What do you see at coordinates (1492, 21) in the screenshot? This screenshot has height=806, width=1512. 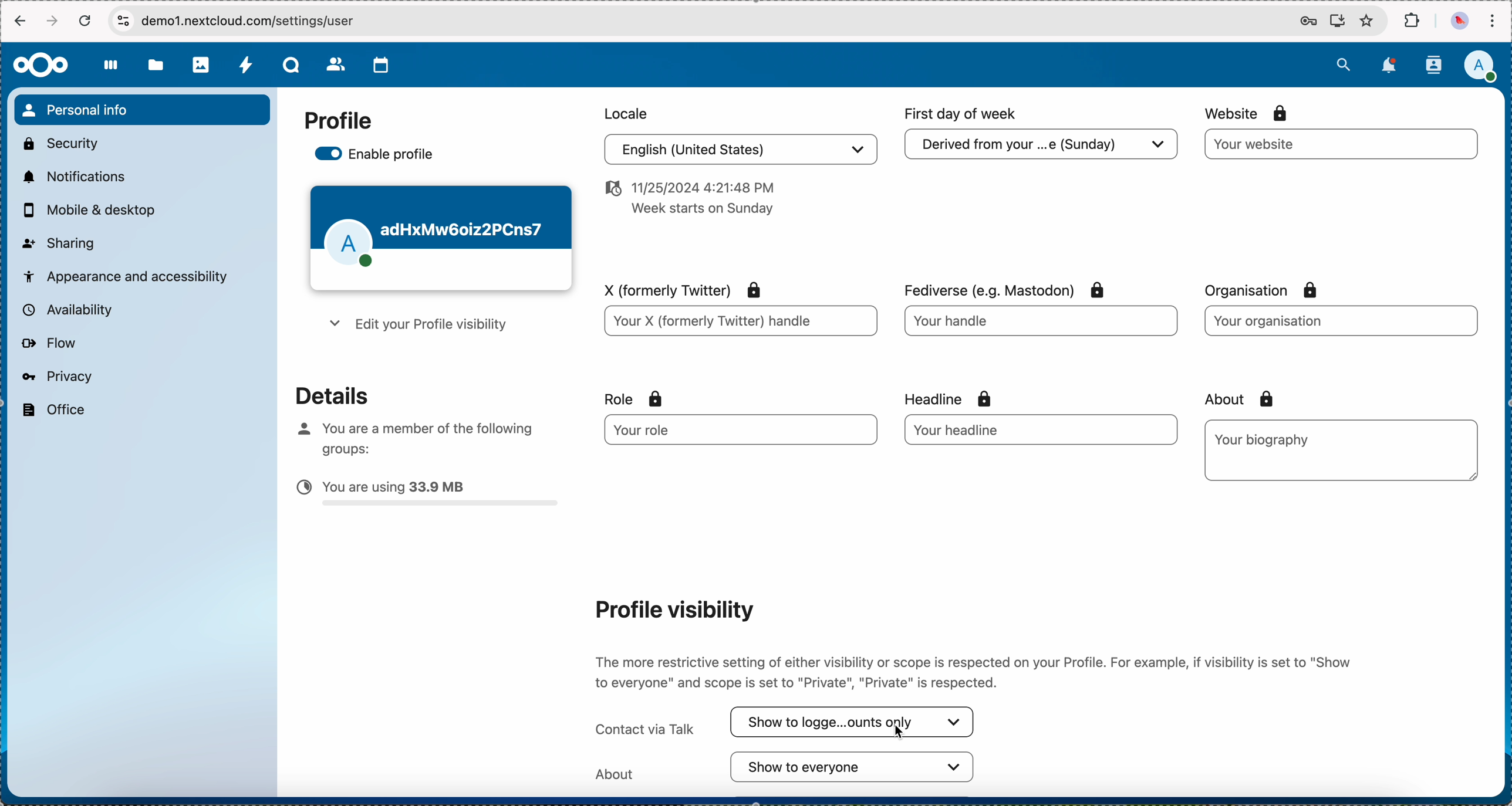 I see `customize and control Google Chrome` at bounding box center [1492, 21].